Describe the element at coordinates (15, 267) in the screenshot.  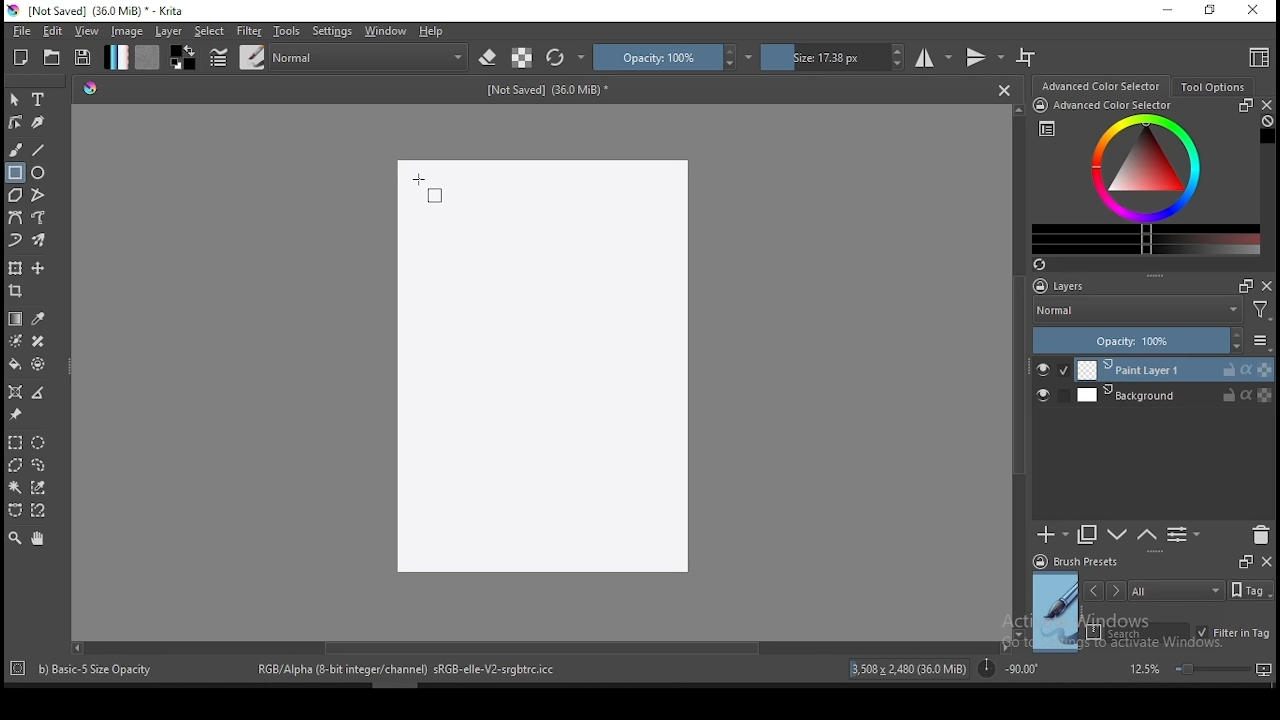
I see `transform a layer or a selection` at that location.